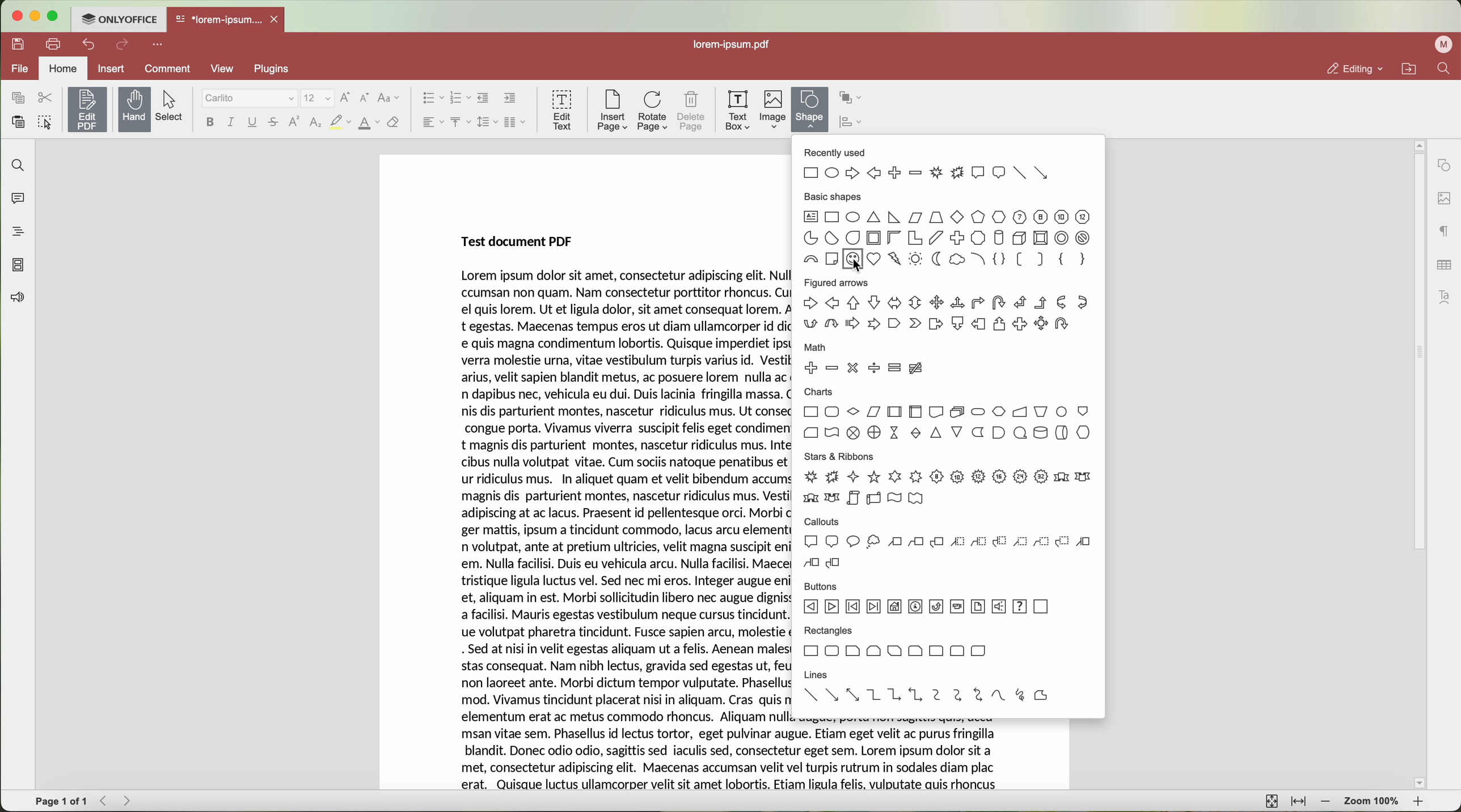 Image resolution: width=1461 pixels, height=812 pixels. Describe the element at coordinates (230, 121) in the screenshot. I see `italic` at that location.